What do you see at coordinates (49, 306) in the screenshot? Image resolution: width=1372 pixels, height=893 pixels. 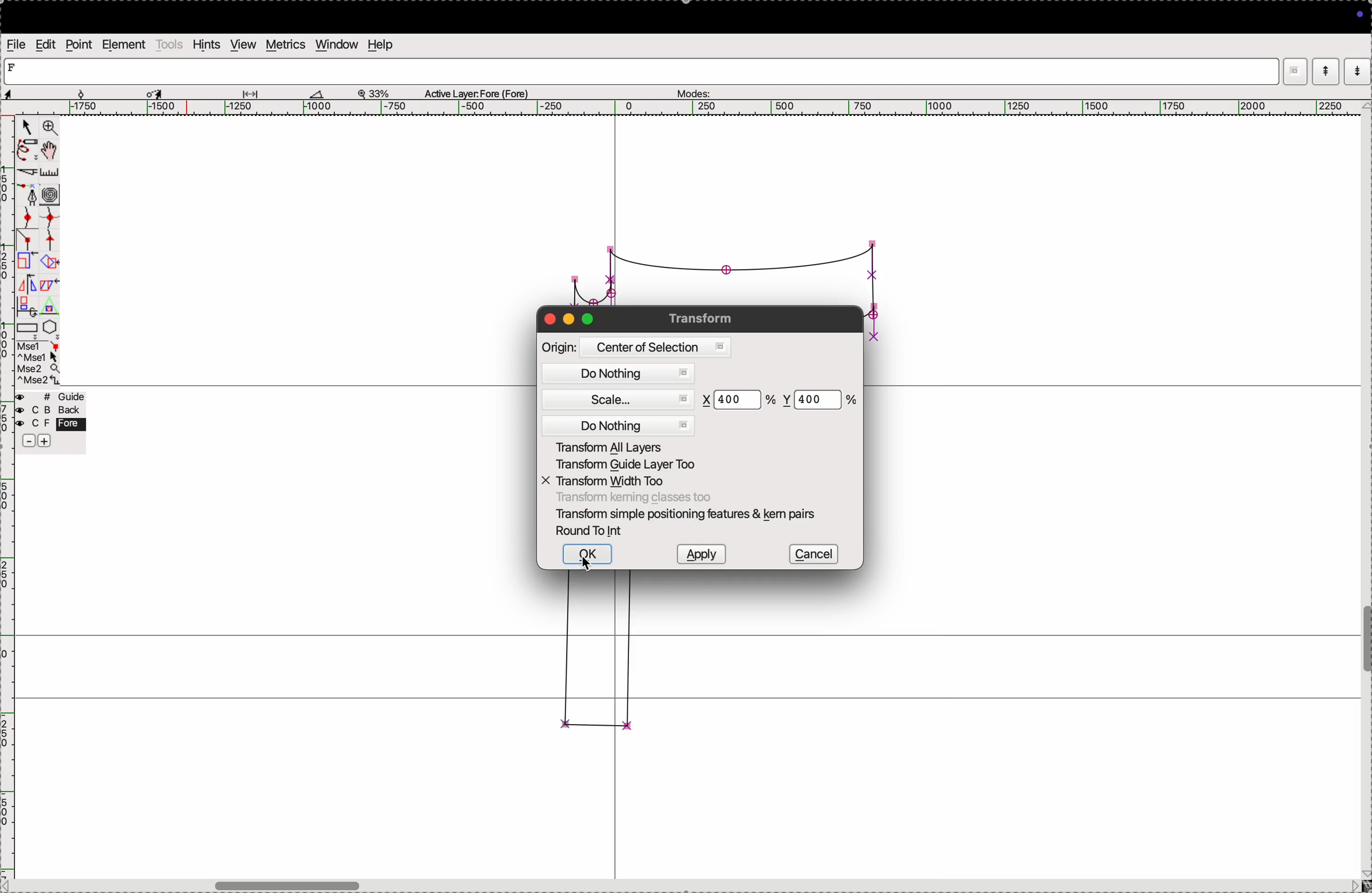 I see `Triangle` at bounding box center [49, 306].